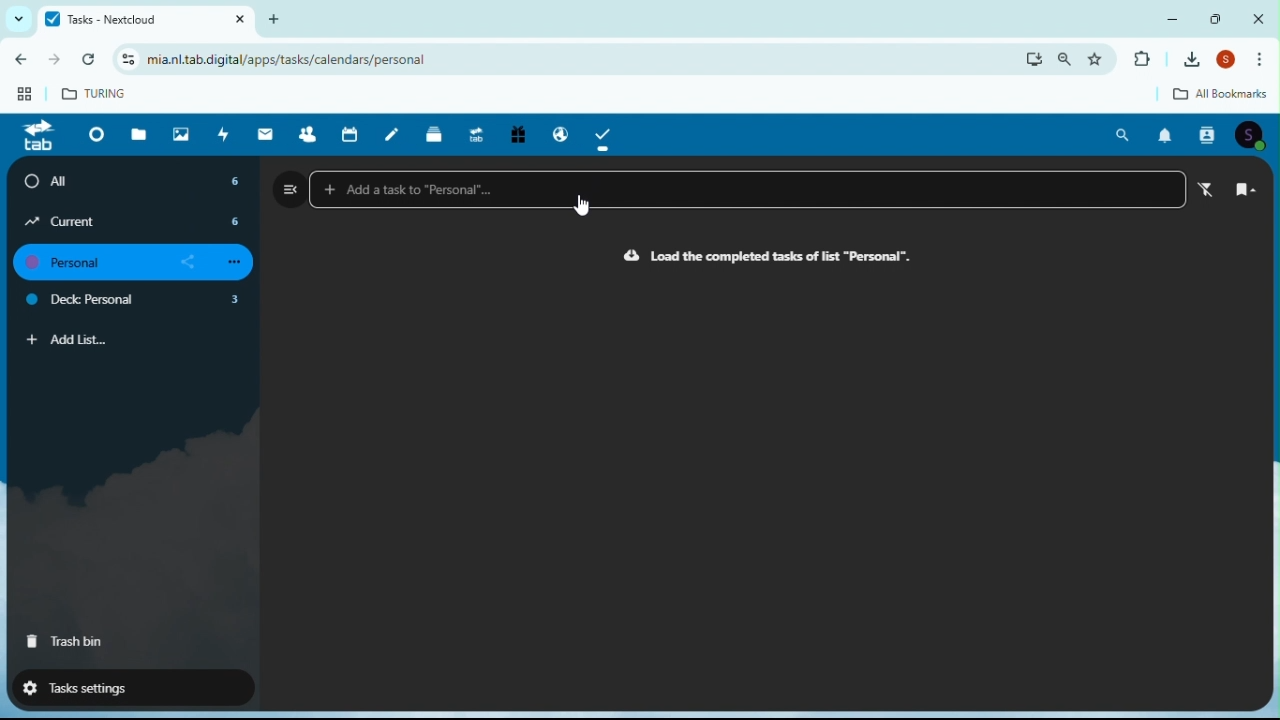  I want to click on Free trial, so click(516, 136).